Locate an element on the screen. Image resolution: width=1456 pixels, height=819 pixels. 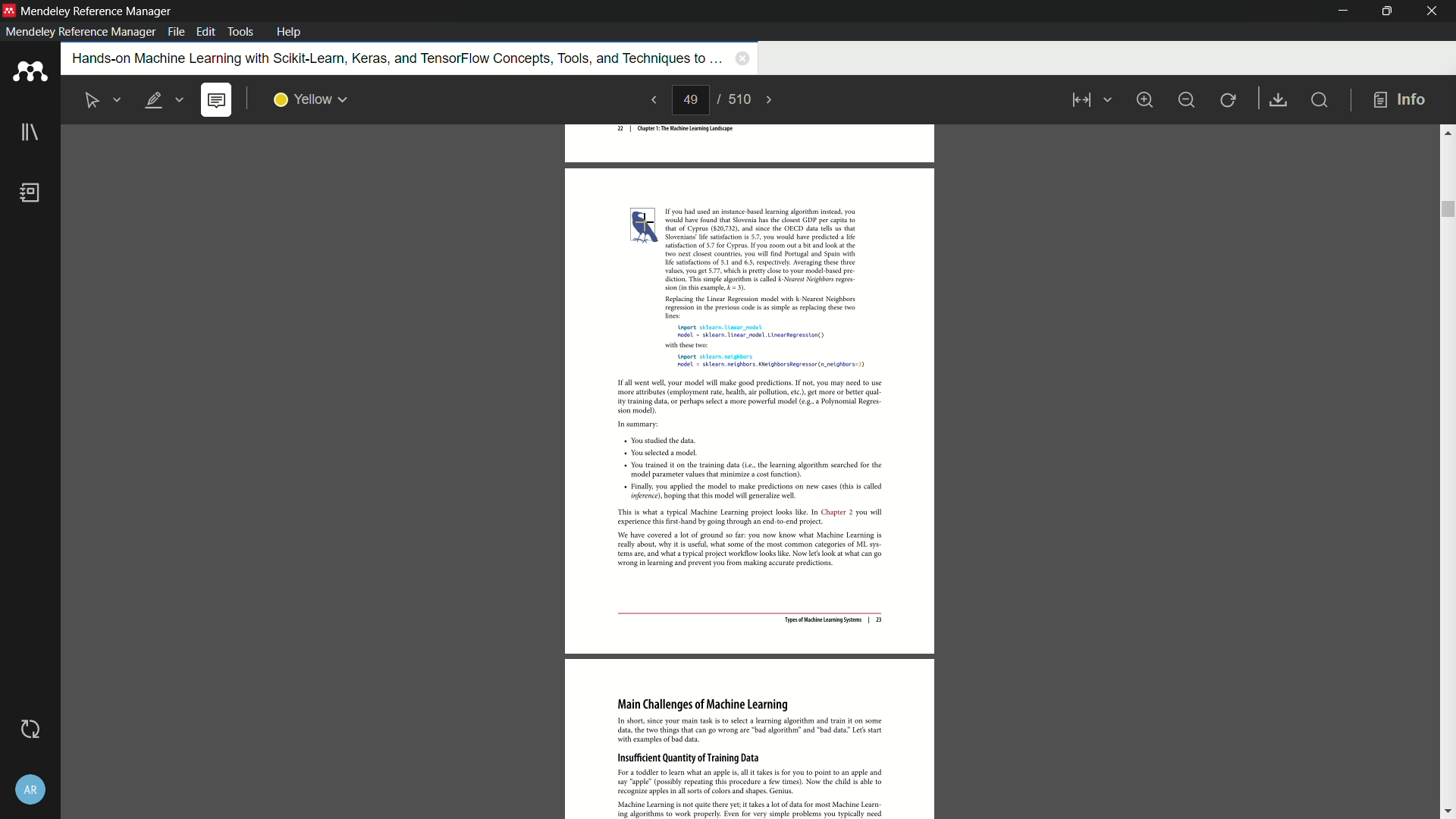
select is located at coordinates (93, 99).